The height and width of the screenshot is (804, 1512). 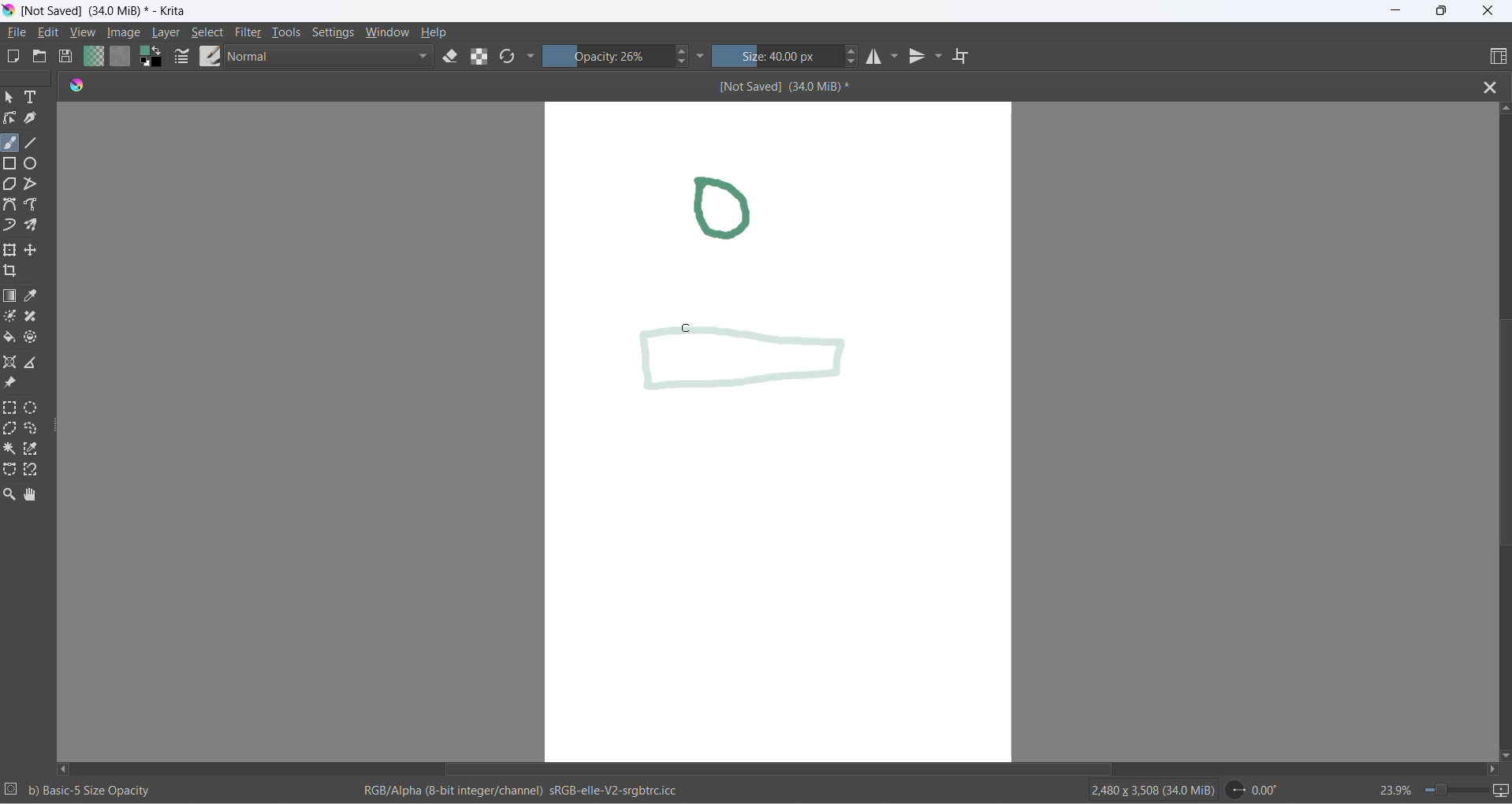 What do you see at coordinates (12, 141) in the screenshot?
I see `freehand brush tool` at bounding box center [12, 141].